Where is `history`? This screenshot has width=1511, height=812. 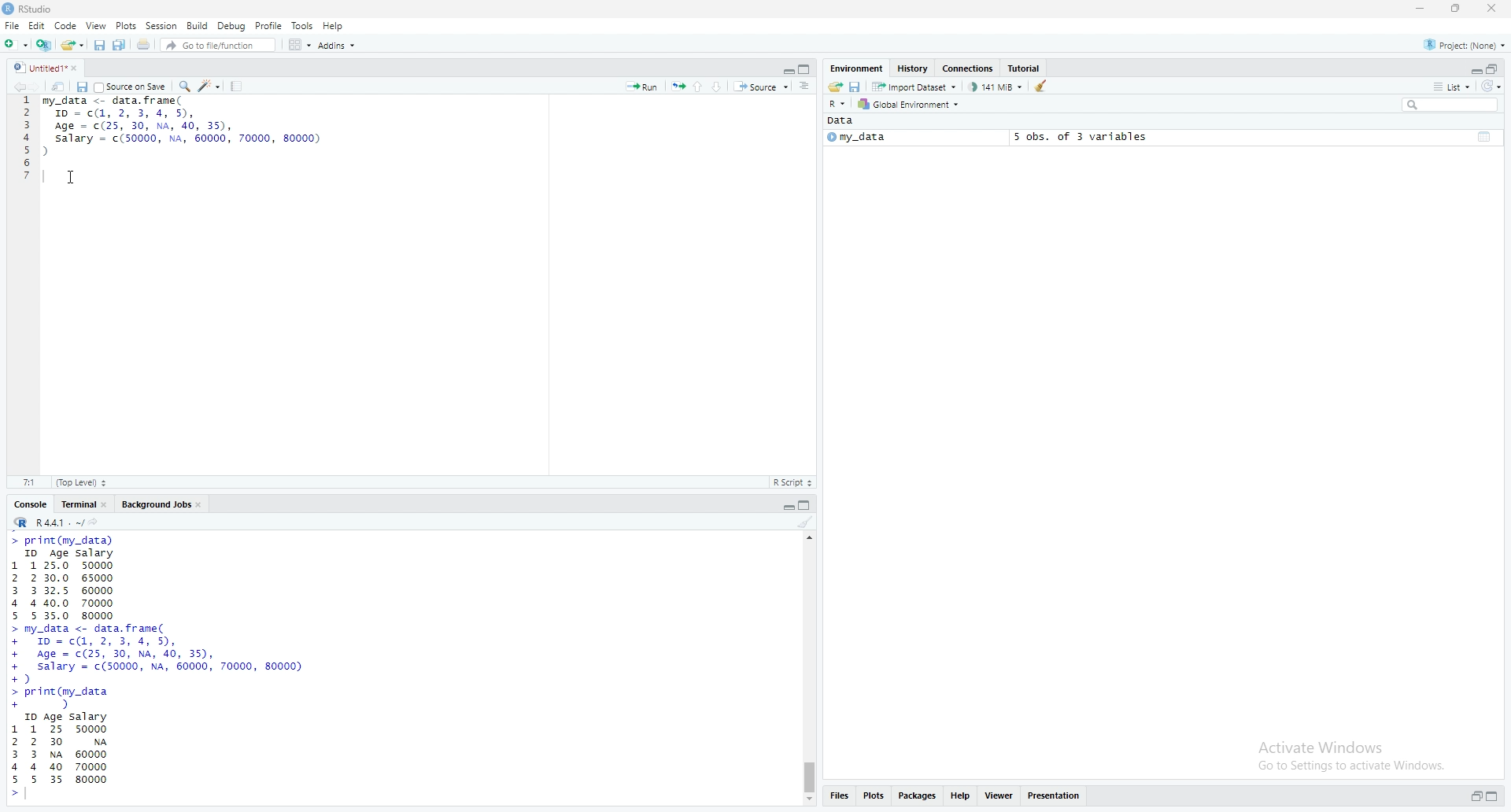
history is located at coordinates (913, 68).